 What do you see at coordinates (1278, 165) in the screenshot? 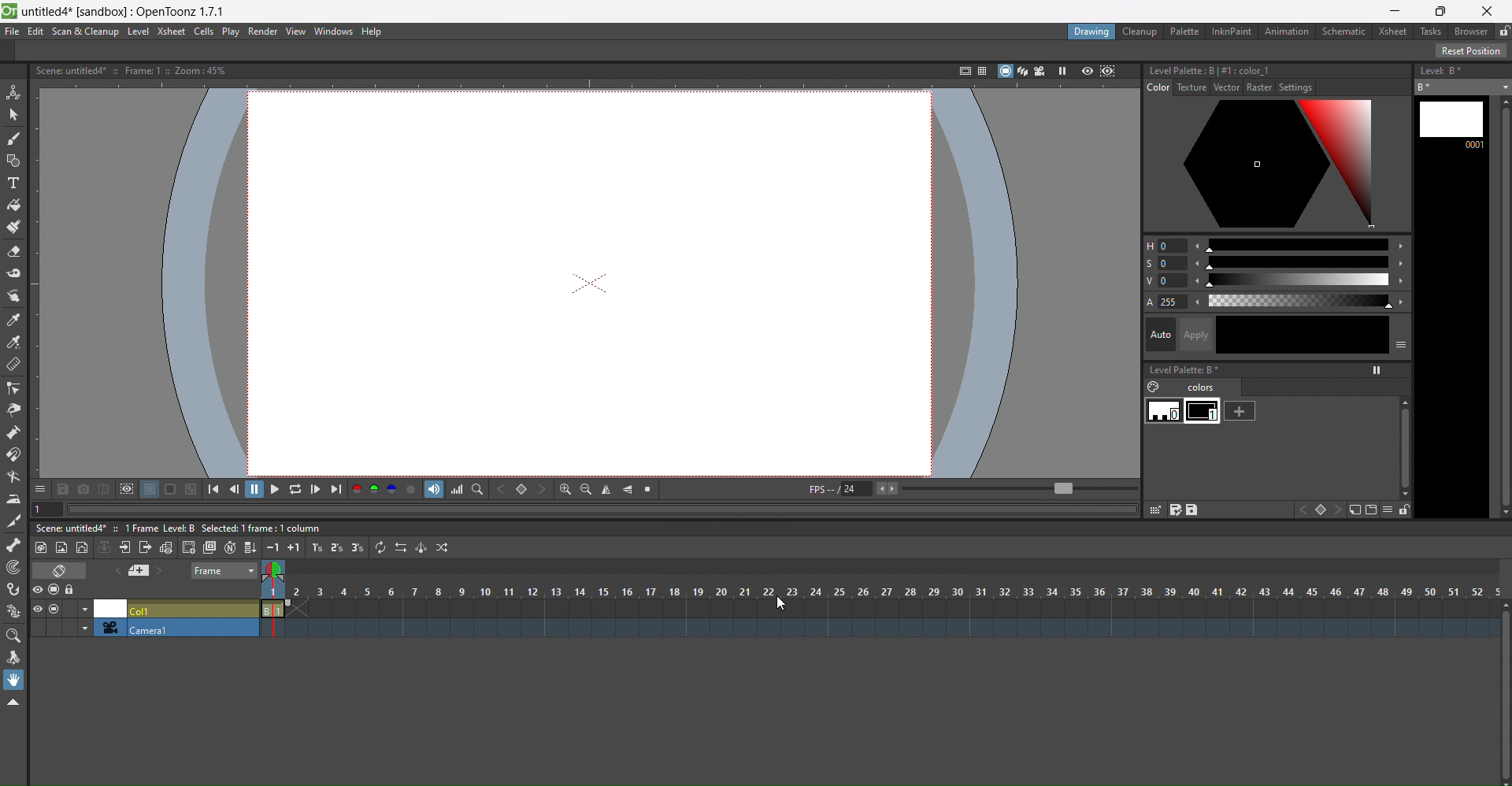
I see `image` at bounding box center [1278, 165].